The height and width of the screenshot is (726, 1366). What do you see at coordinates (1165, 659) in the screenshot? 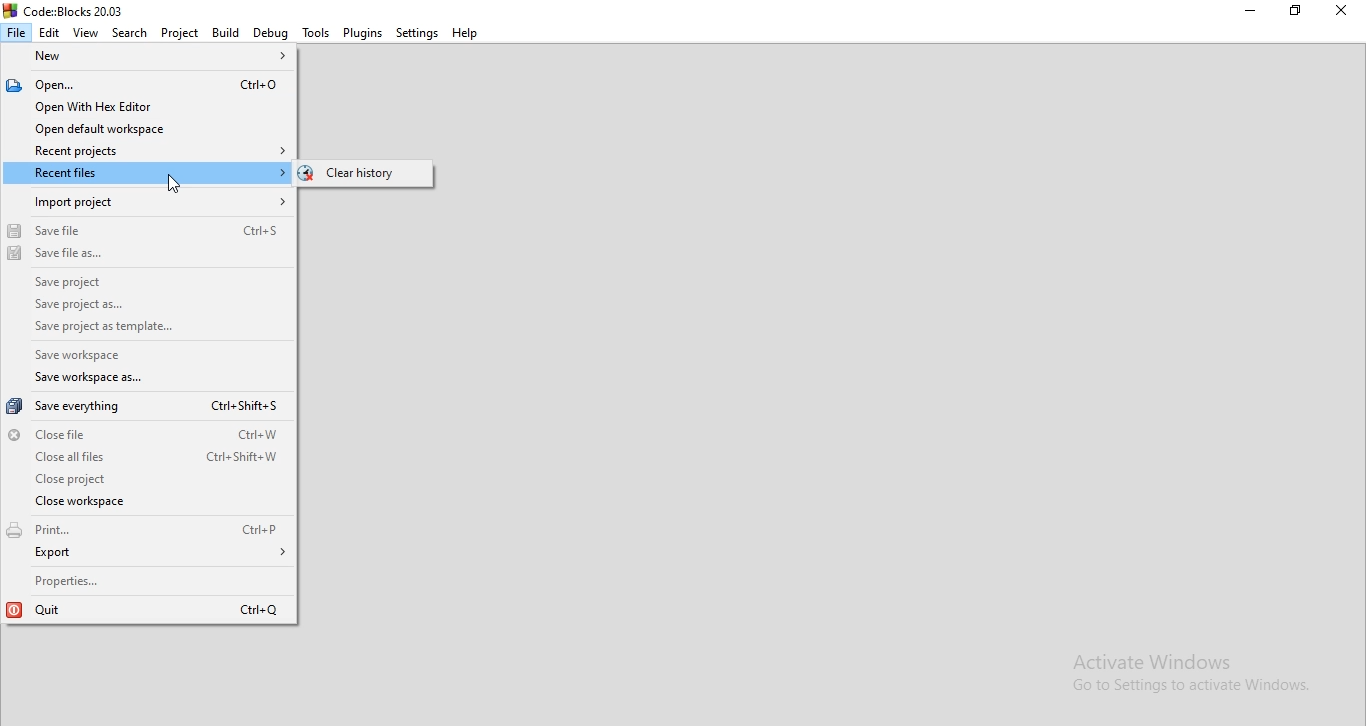
I see `Activate Windows` at bounding box center [1165, 659].